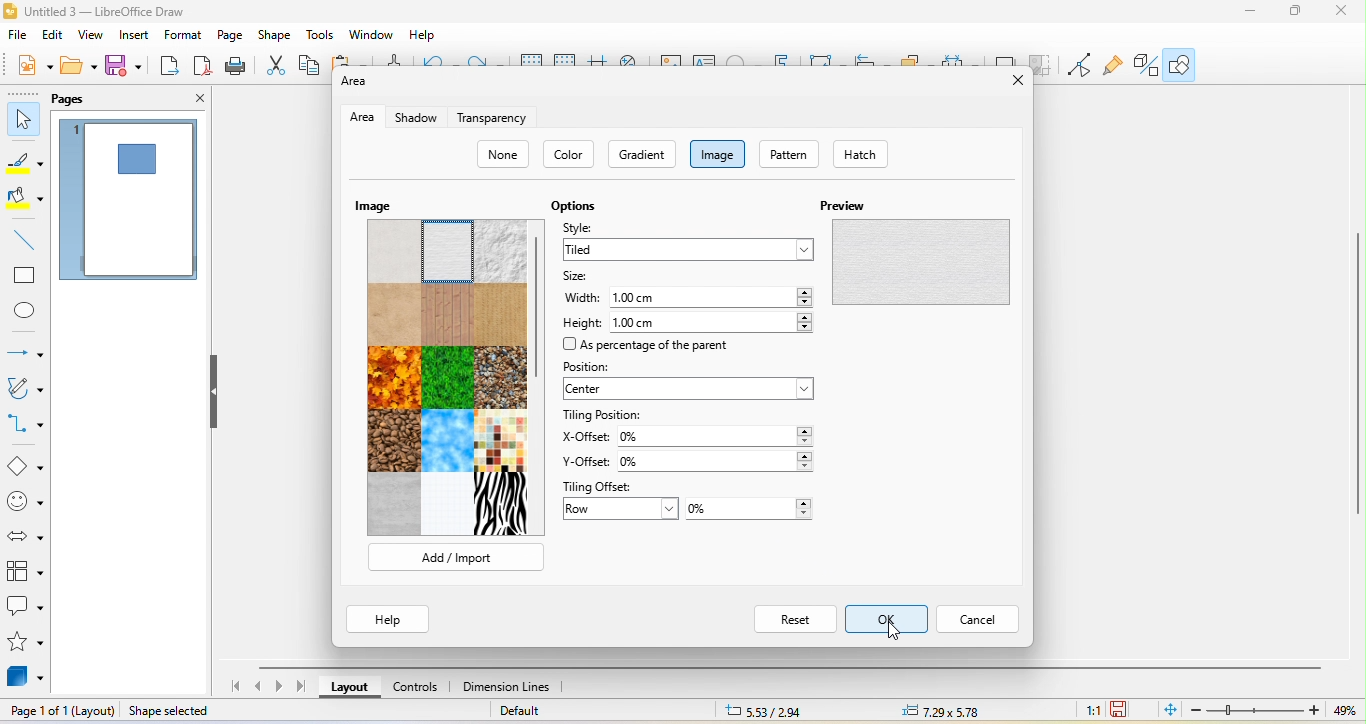 This screenshot has height=724, width=1366. What do you see at coordinates (549, 711) in the screenshot?
I see `default` at bounding box center [549, 711].